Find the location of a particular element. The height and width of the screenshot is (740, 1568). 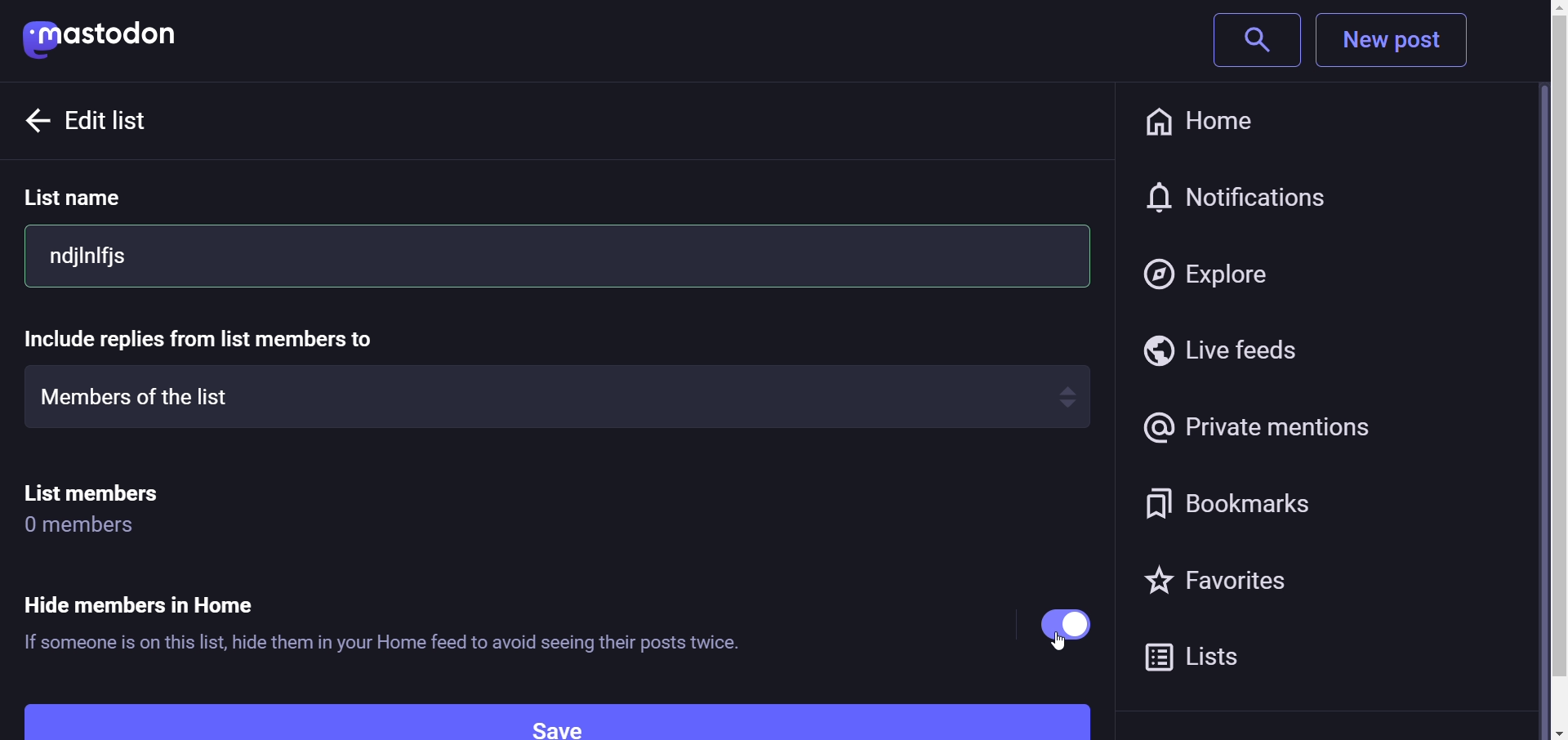

scroll down is located at coordinates (1540, 732).